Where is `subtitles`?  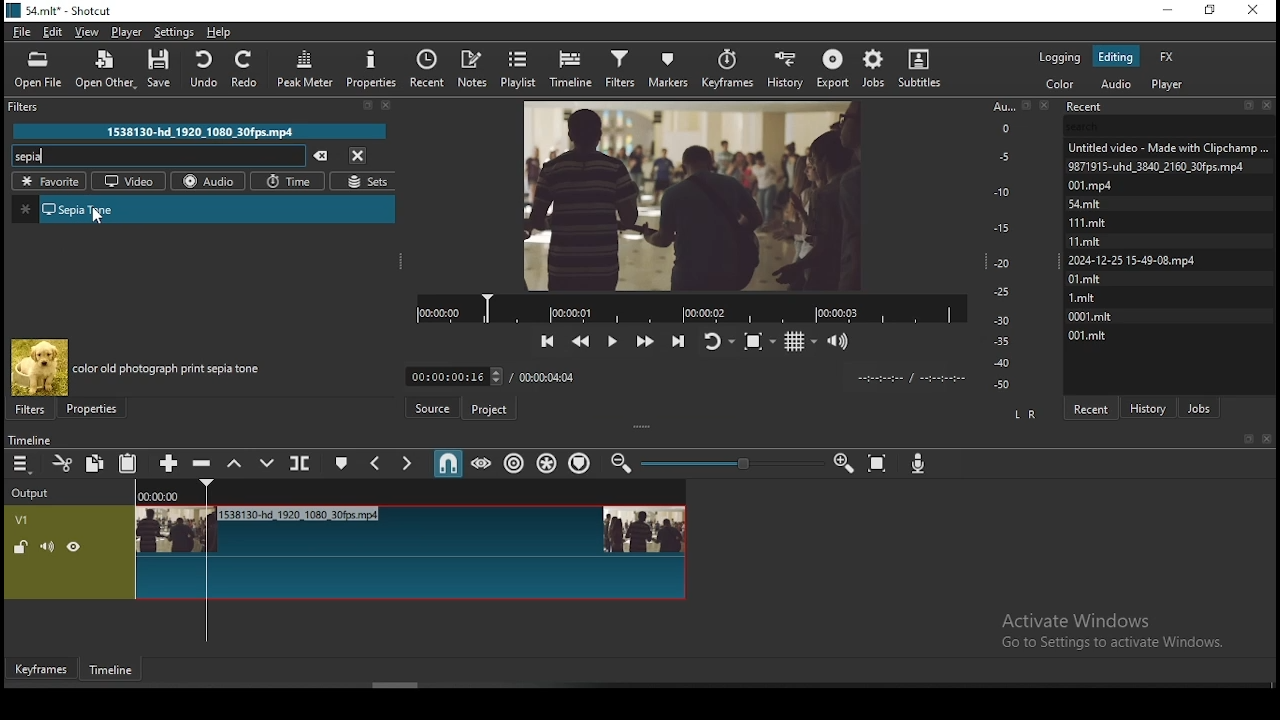 subtitles is located at coordinates (927, 69).